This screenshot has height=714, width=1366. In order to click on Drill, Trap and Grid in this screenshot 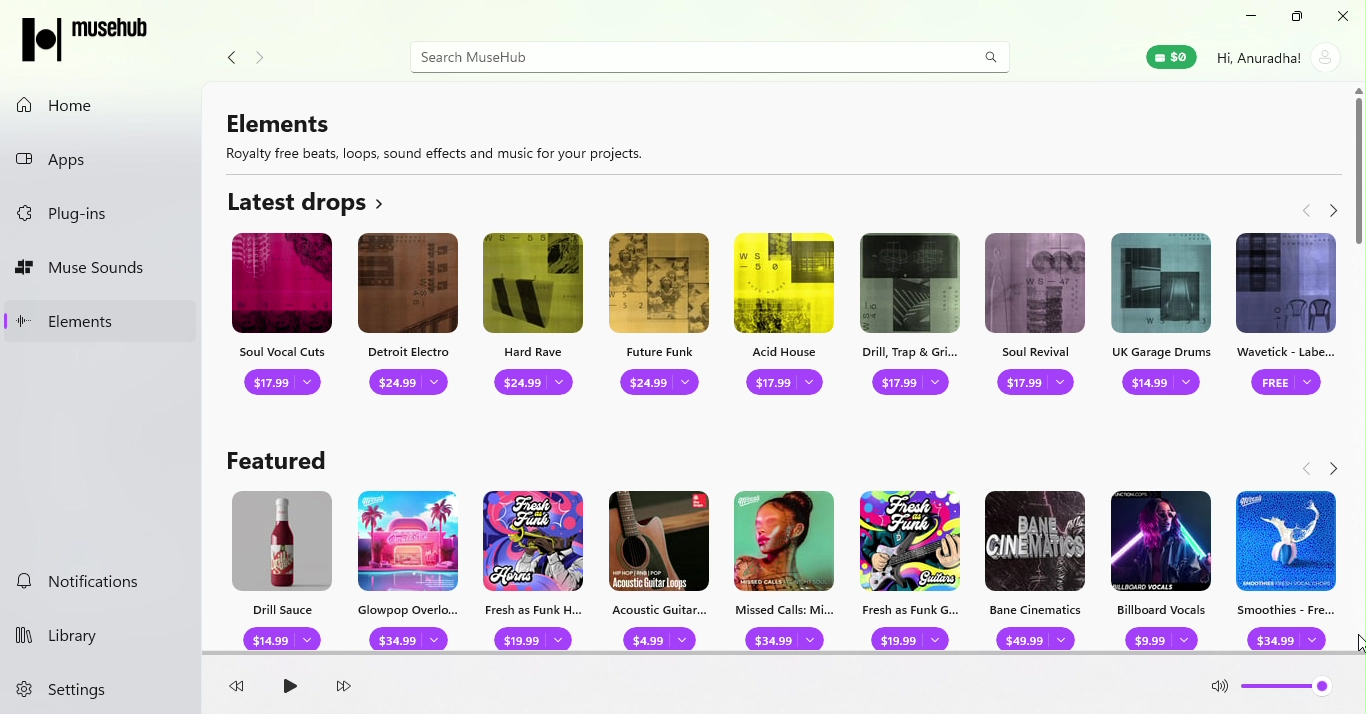, I will do `click(915, 318)`.